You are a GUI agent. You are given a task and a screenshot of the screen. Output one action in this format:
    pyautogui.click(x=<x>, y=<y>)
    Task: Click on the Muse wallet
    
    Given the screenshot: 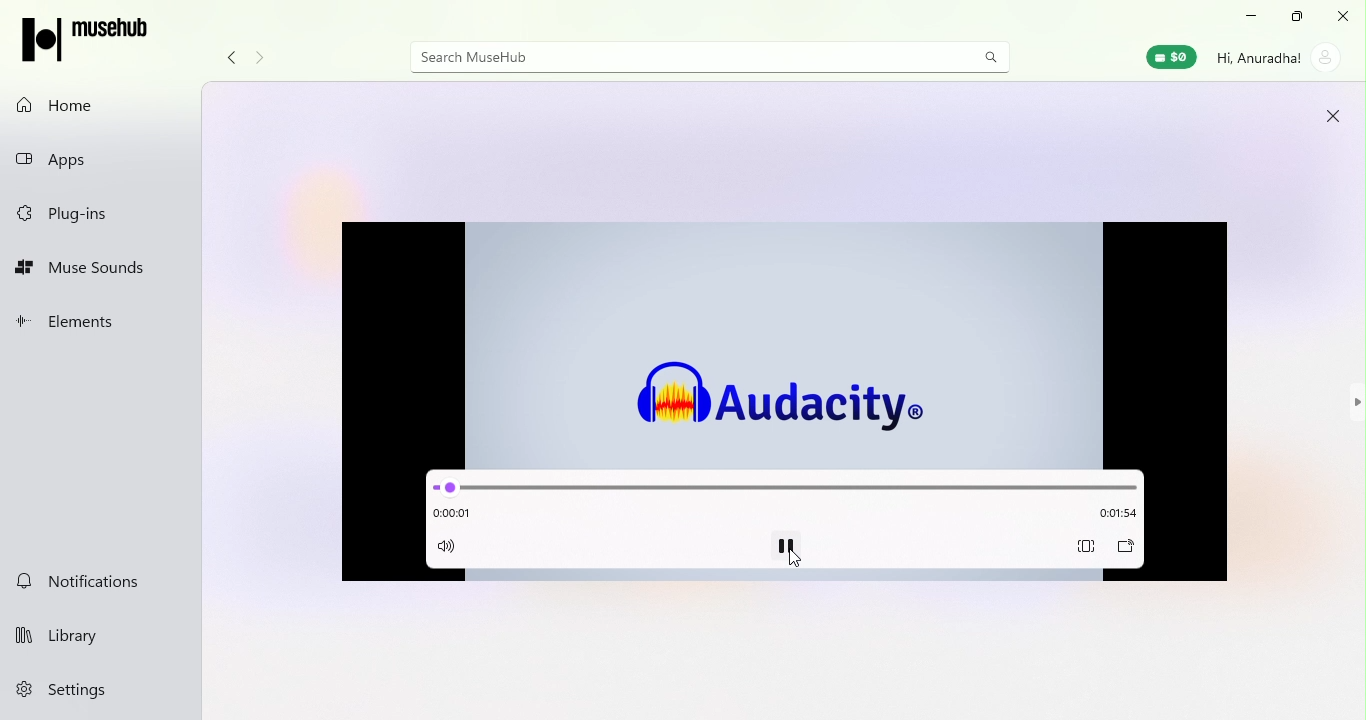 What is the action you would take?
    pyautogui.click(x=1168, y=58)
    